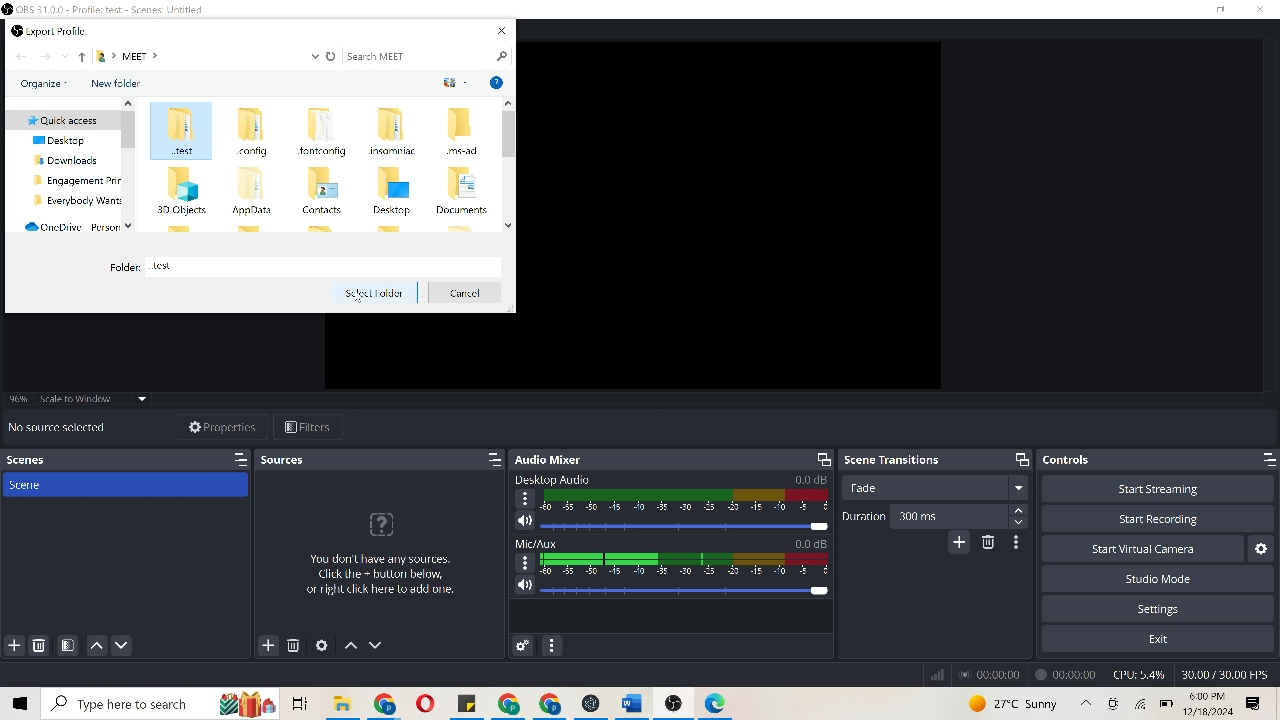 This screenshot has width=1280, height=720. I want to click on 30.00/30.00 FPS, so click(1224, 673).